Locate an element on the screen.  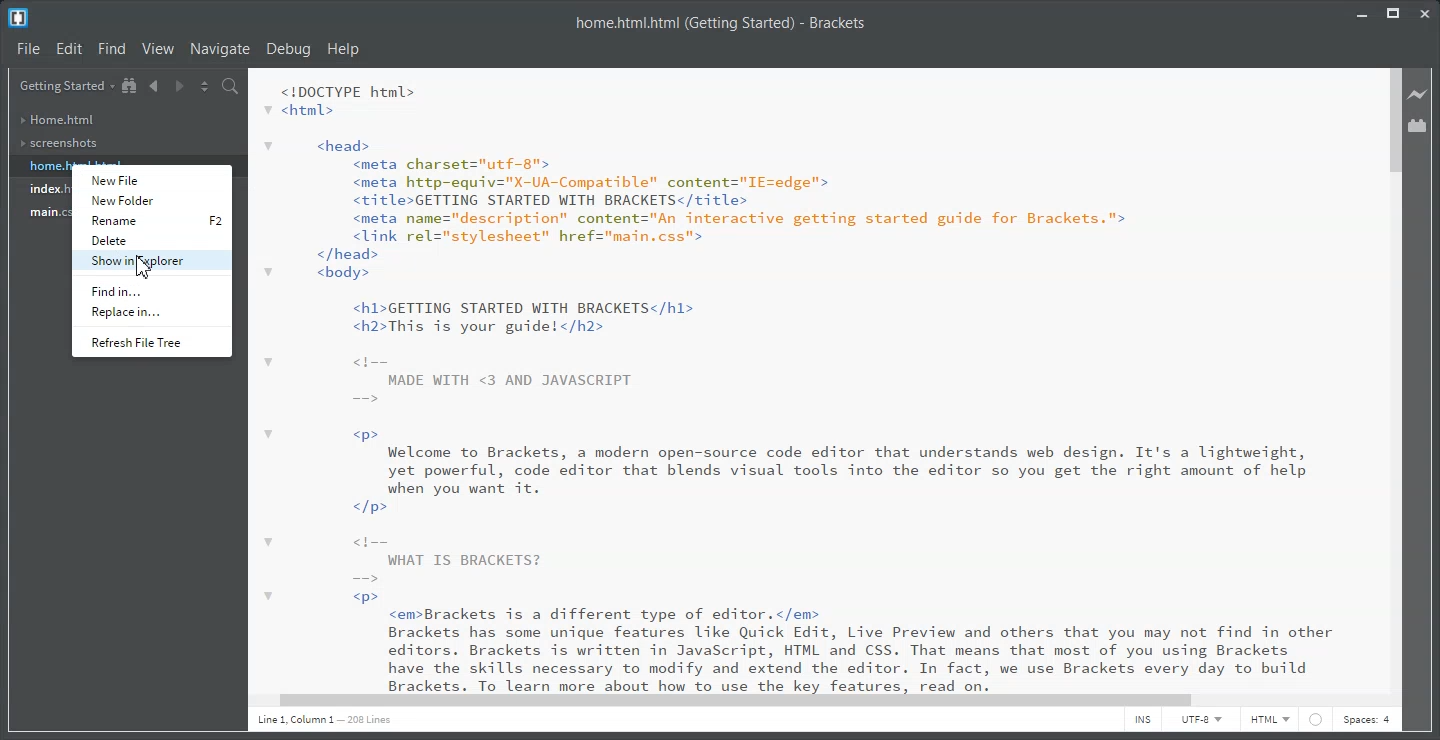
Text 3 is located at coordinates (329, 723).